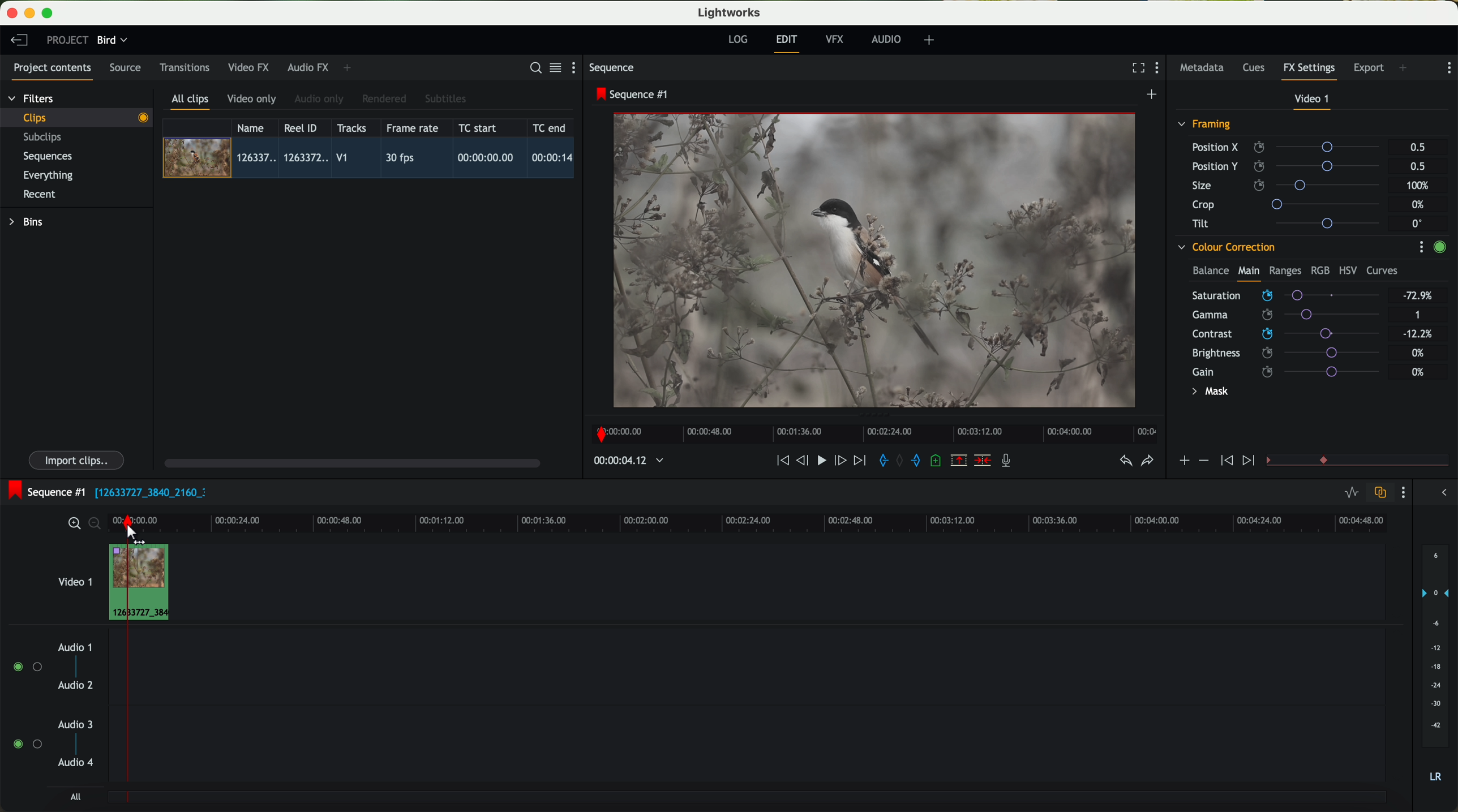  I want to click on toggle between list and title view, so click(554, 67).